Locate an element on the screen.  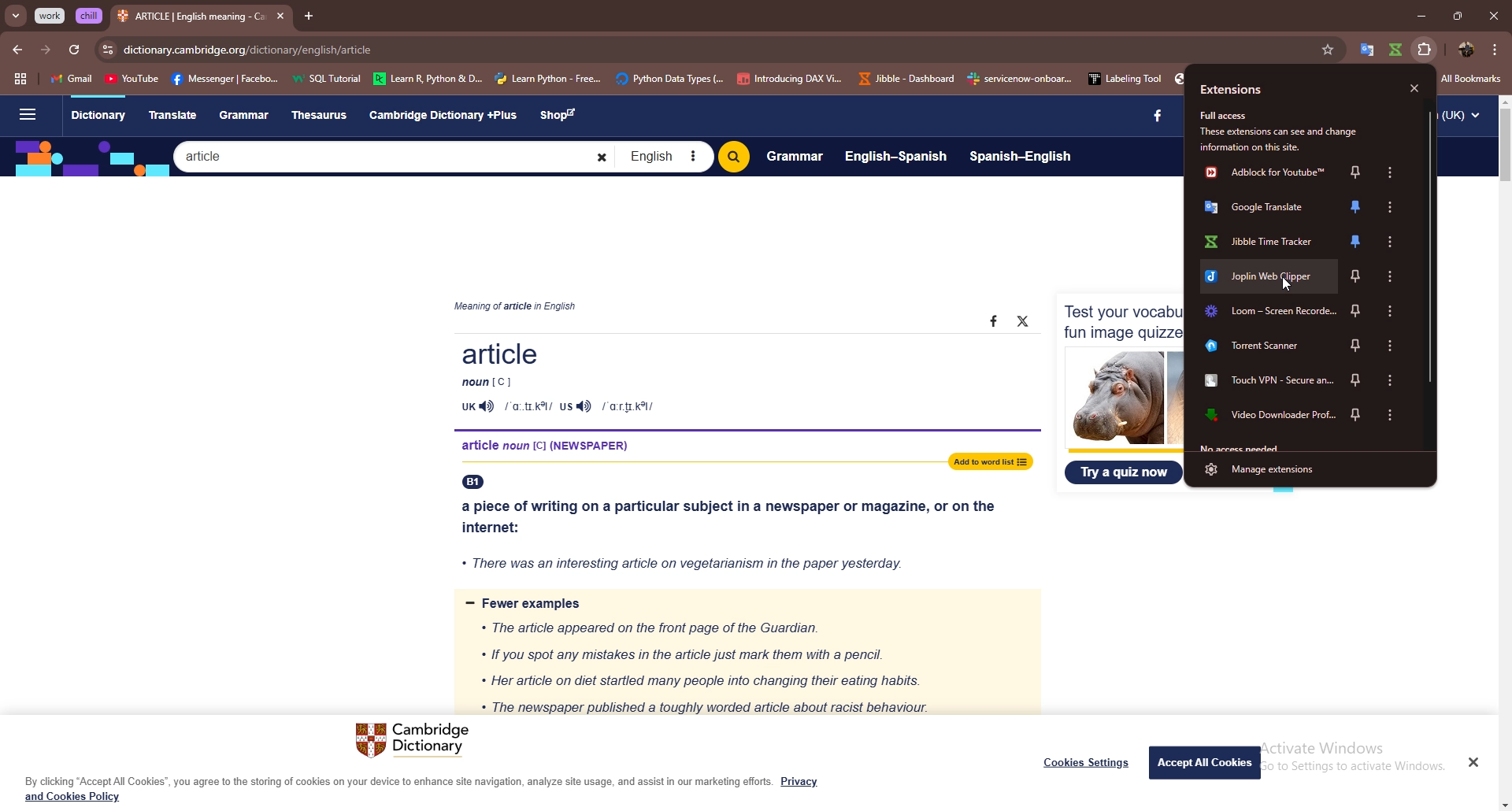
Test your vocabulary with ourfun image quizzes  Try a quiz now is located at coordinates (1121, 391).